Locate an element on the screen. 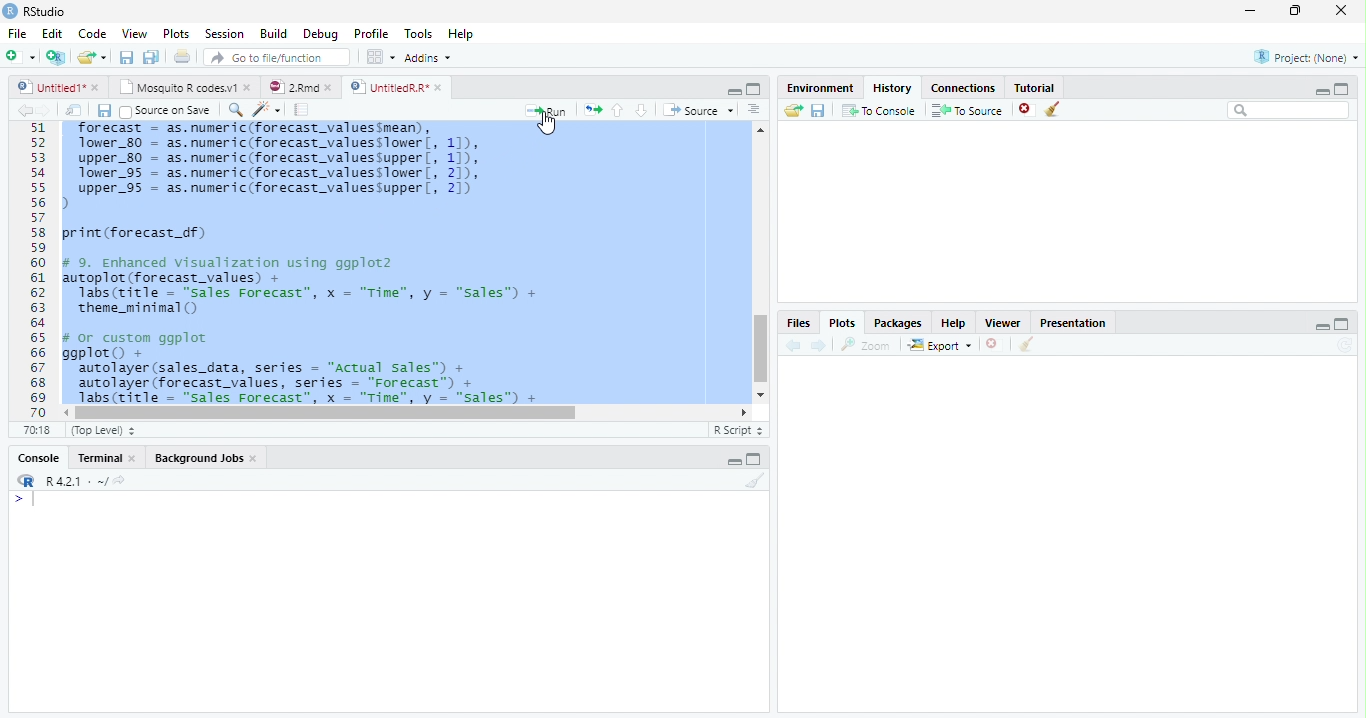 The height and width of the screenshot is (718, 1366). Zoom is located at coordinates (864, 345).